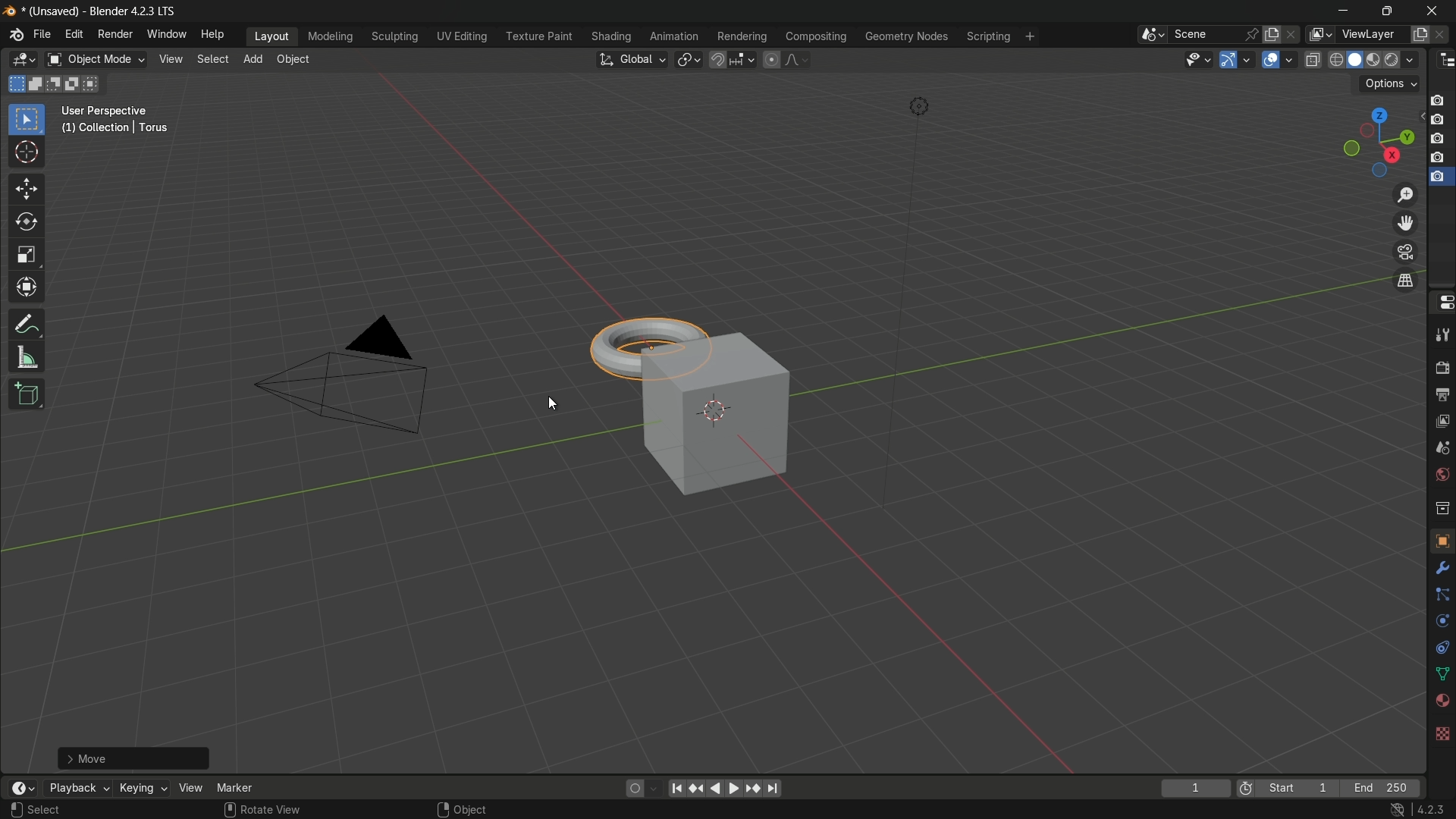 The height and width of the screenshot is (819, 1456). I want to click on layer 4, so click(1438, 159).